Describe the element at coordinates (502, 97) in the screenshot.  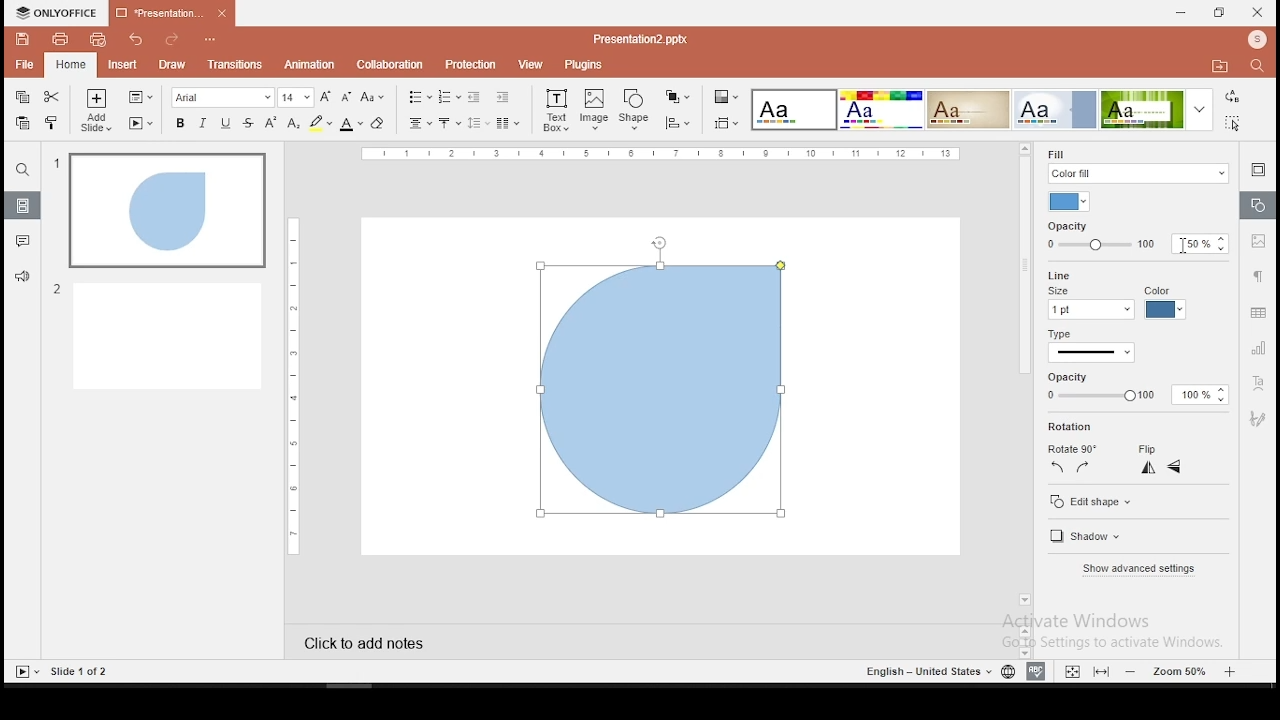
I see `increase indent` at that location.